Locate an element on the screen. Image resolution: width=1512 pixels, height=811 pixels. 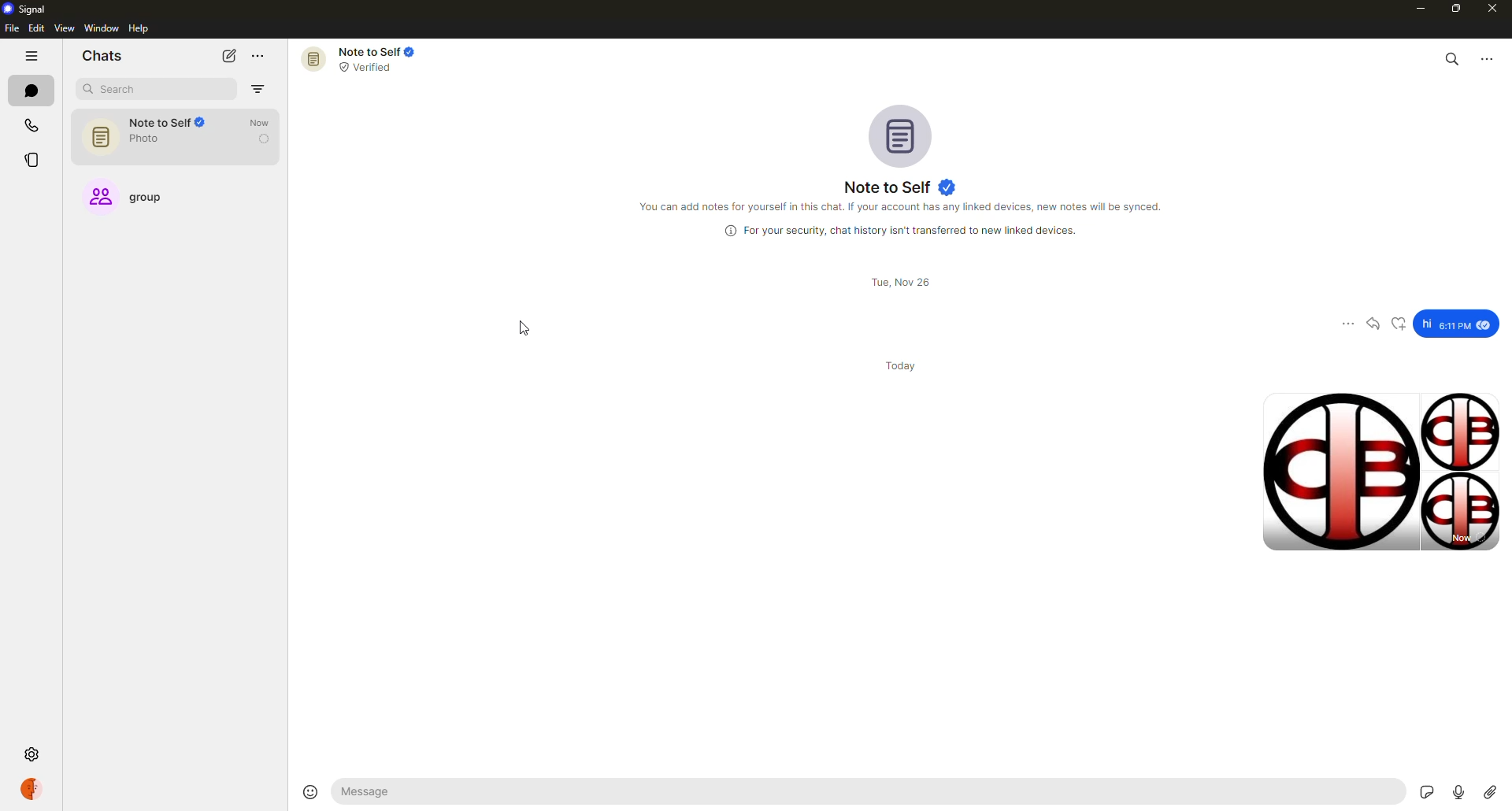
group is located at coordinates (144, 195).